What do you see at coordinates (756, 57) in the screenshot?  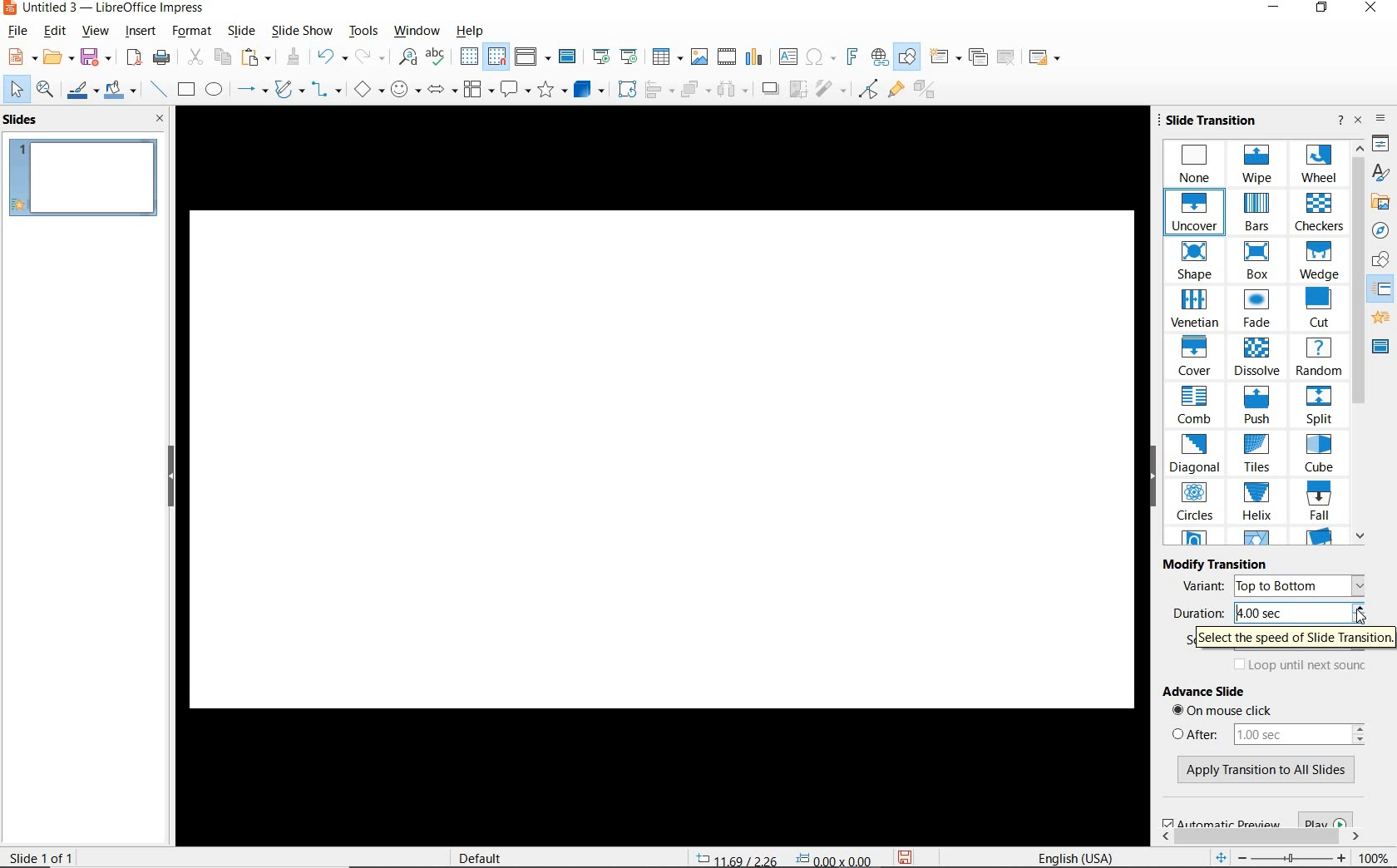 I see `INSERT CHART` at bounding box center [756, 57].